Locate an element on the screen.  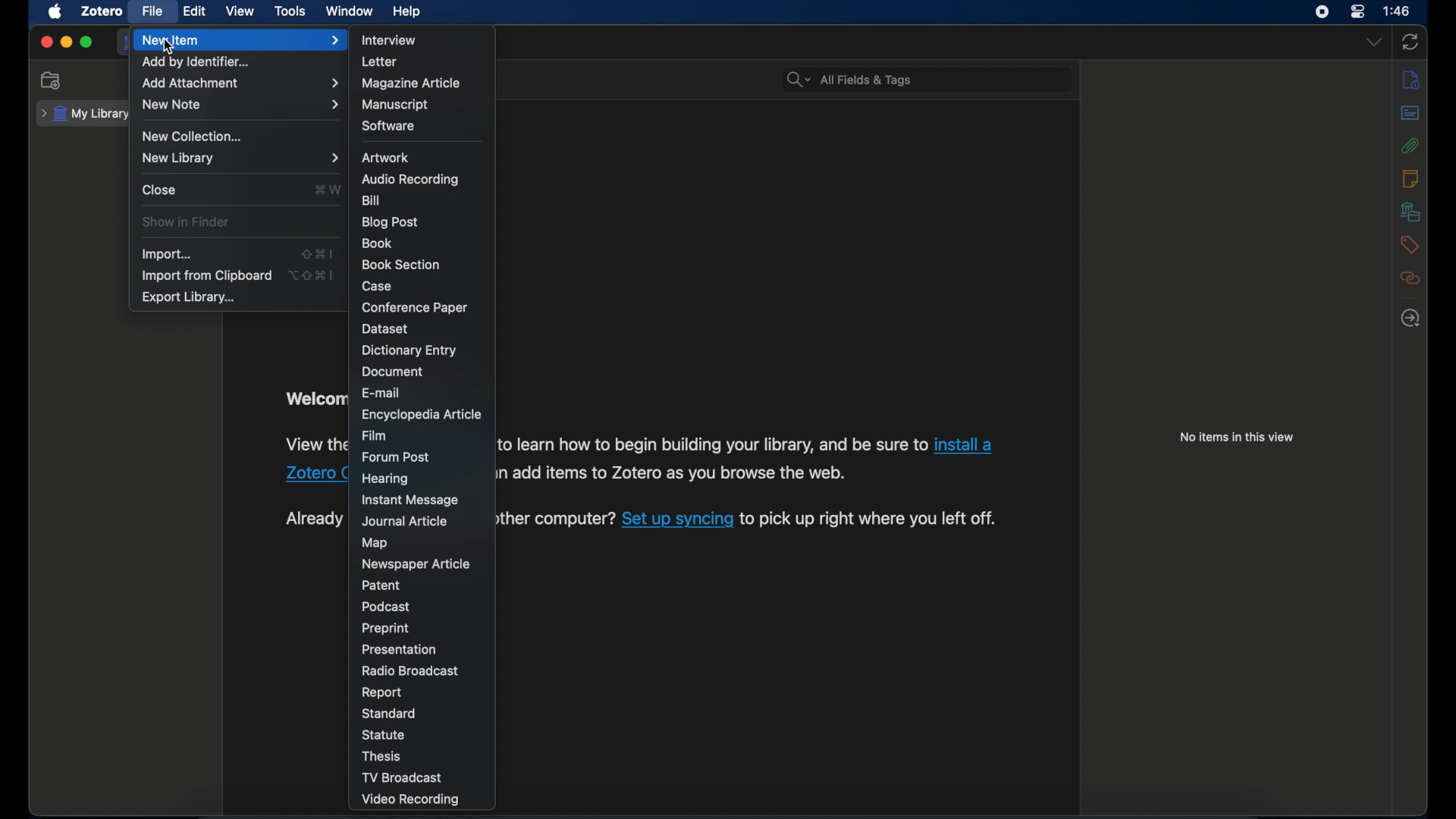
audio recording is located at coordinates (409, 179).